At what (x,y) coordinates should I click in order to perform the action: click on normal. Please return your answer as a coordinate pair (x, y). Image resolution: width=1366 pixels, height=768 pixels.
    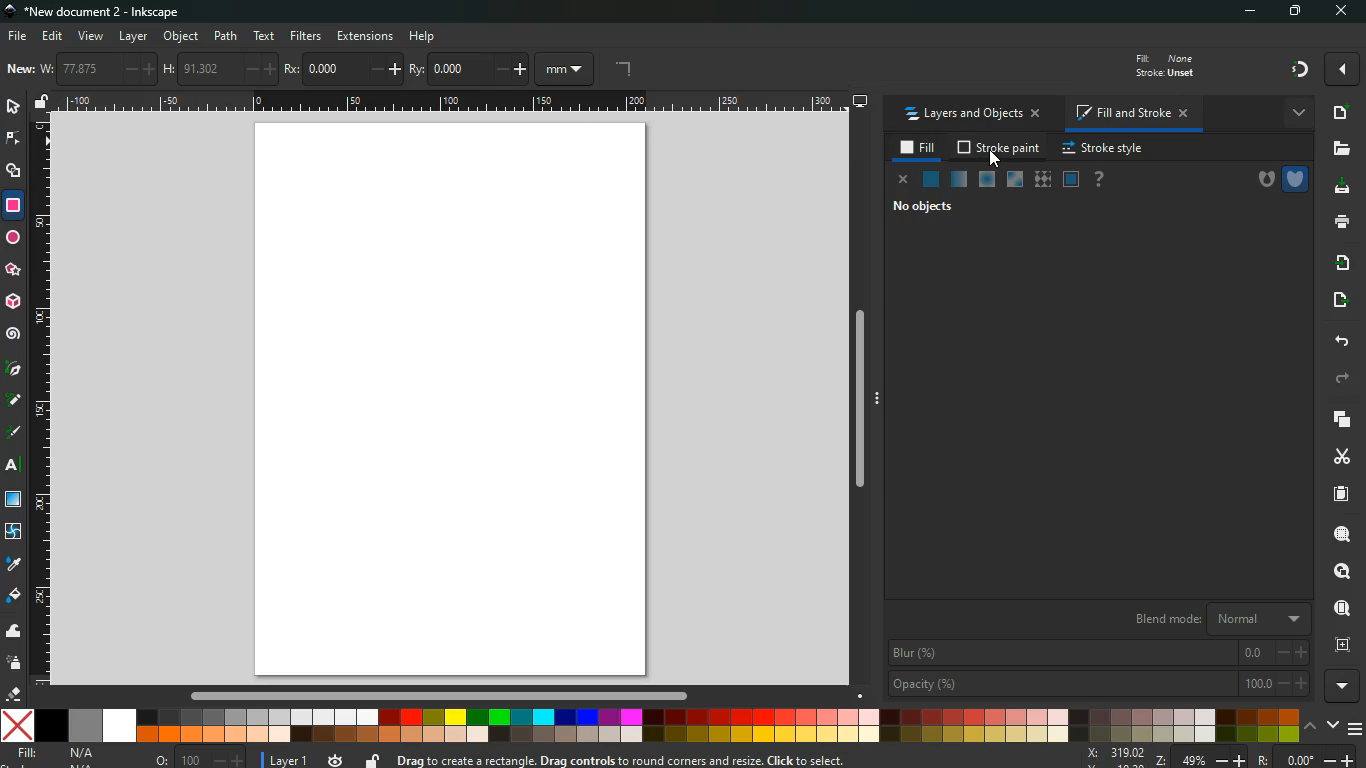
    Looking at the image, I should click on (930, 179).